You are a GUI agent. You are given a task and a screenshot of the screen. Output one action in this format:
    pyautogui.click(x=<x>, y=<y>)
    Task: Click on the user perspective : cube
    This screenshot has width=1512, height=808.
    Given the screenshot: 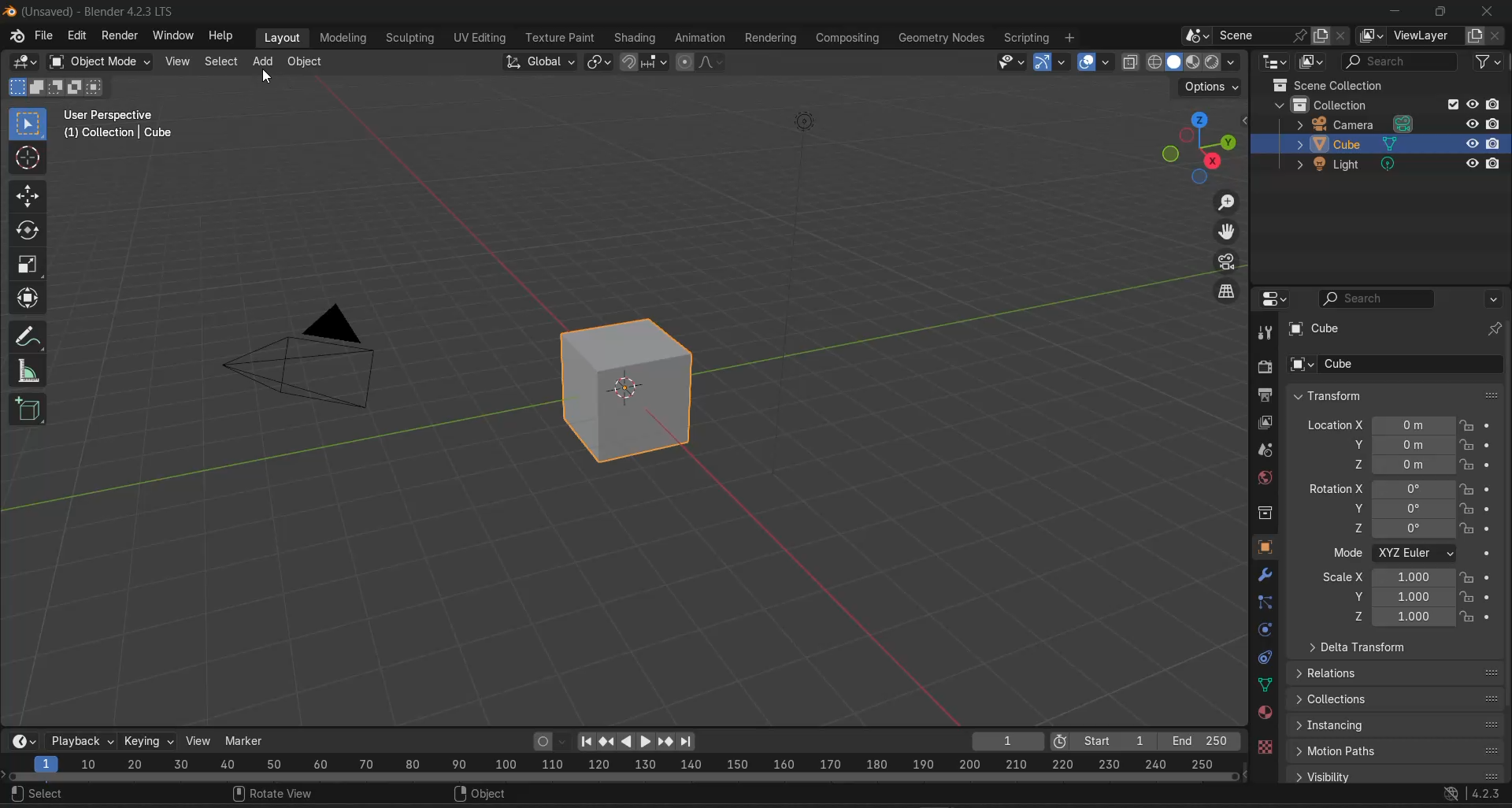 What is the action you would take?
    pyautogui.click(x=123, y=126)
    